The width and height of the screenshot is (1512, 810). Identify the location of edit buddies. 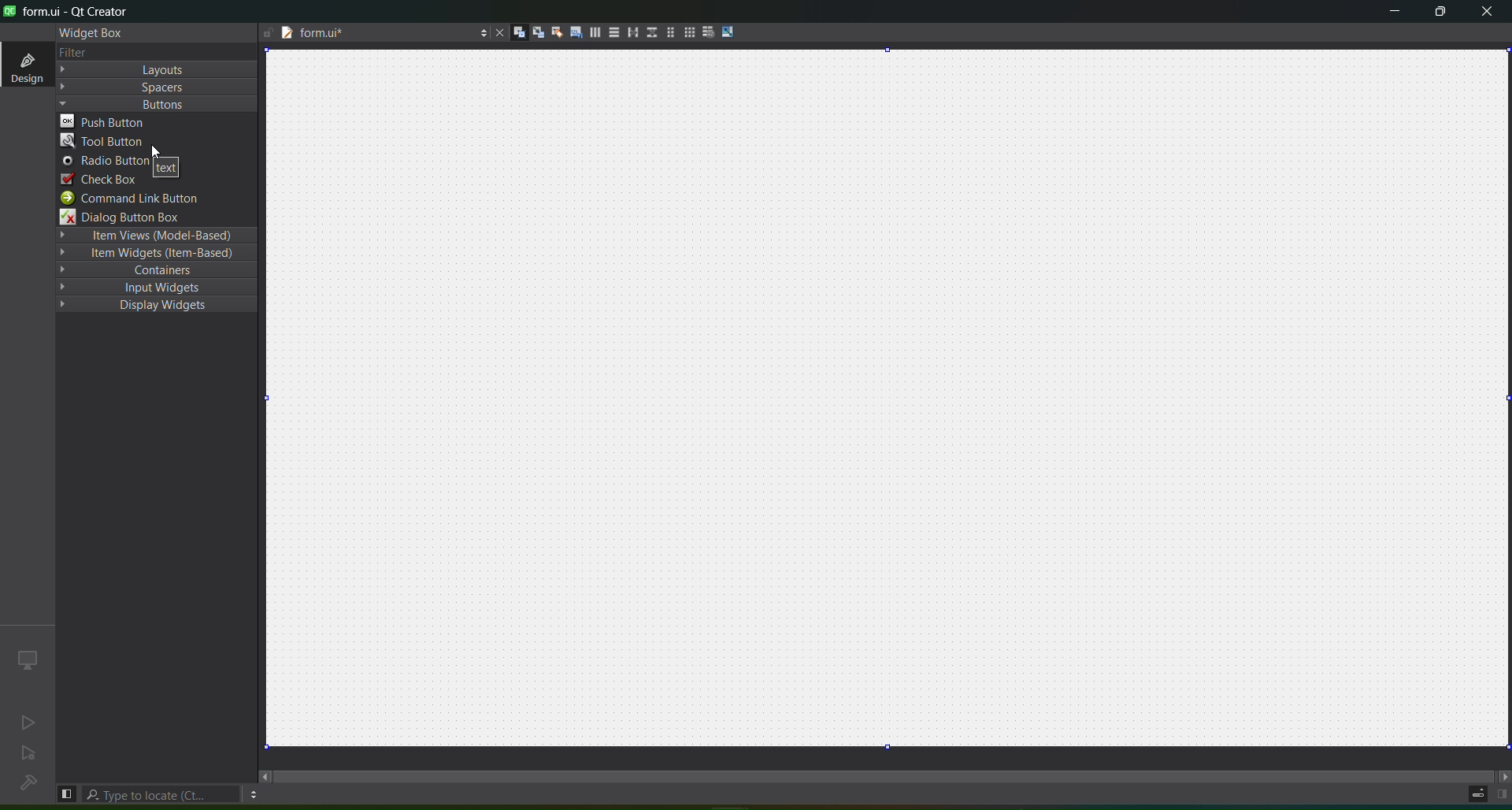
(556, 31).